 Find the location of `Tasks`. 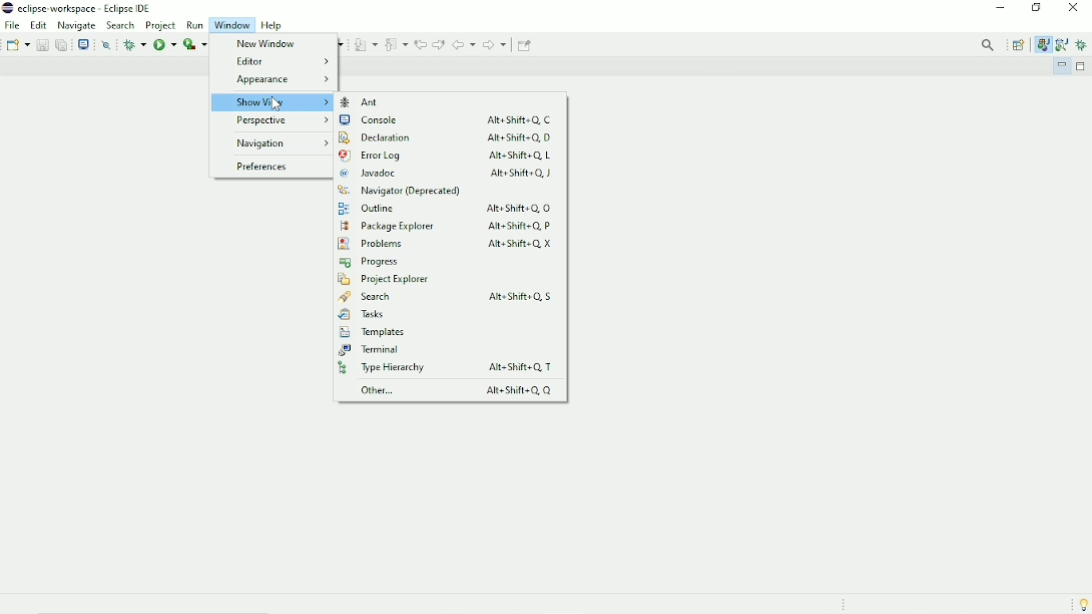

Tasks is located at coordinates (362, 315).